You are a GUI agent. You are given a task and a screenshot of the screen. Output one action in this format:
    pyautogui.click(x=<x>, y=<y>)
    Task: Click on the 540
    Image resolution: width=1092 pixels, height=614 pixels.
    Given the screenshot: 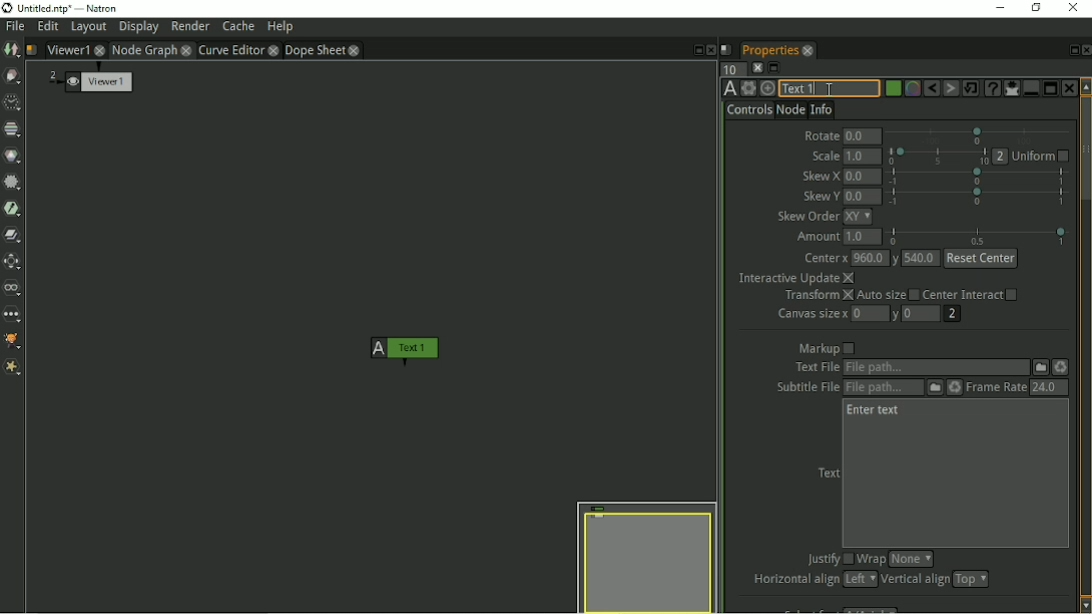 What is the action you would take?
    pyautogui.click(x=923, y=258)
    